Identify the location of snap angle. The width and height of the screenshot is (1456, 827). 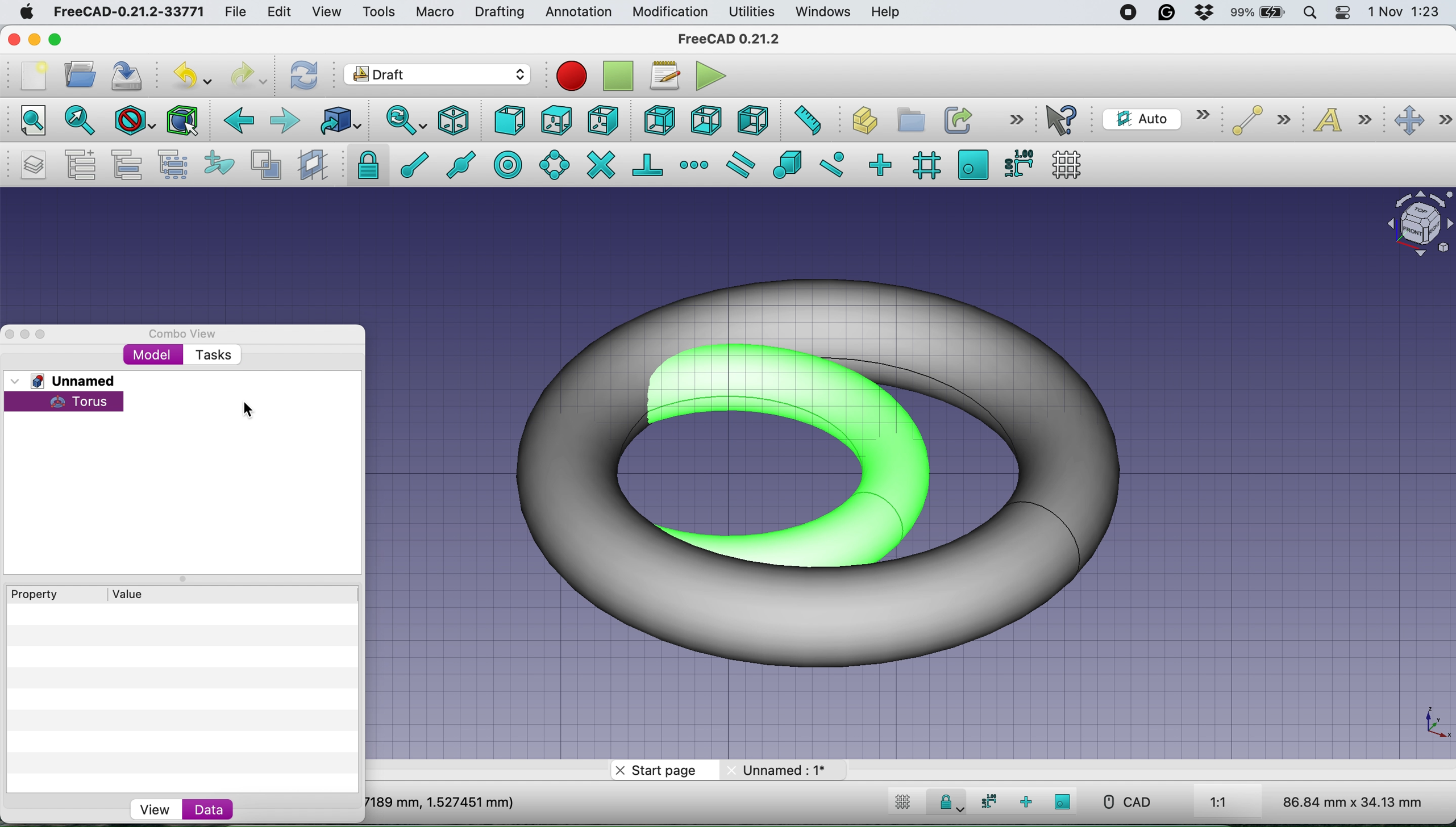
(555, 164).